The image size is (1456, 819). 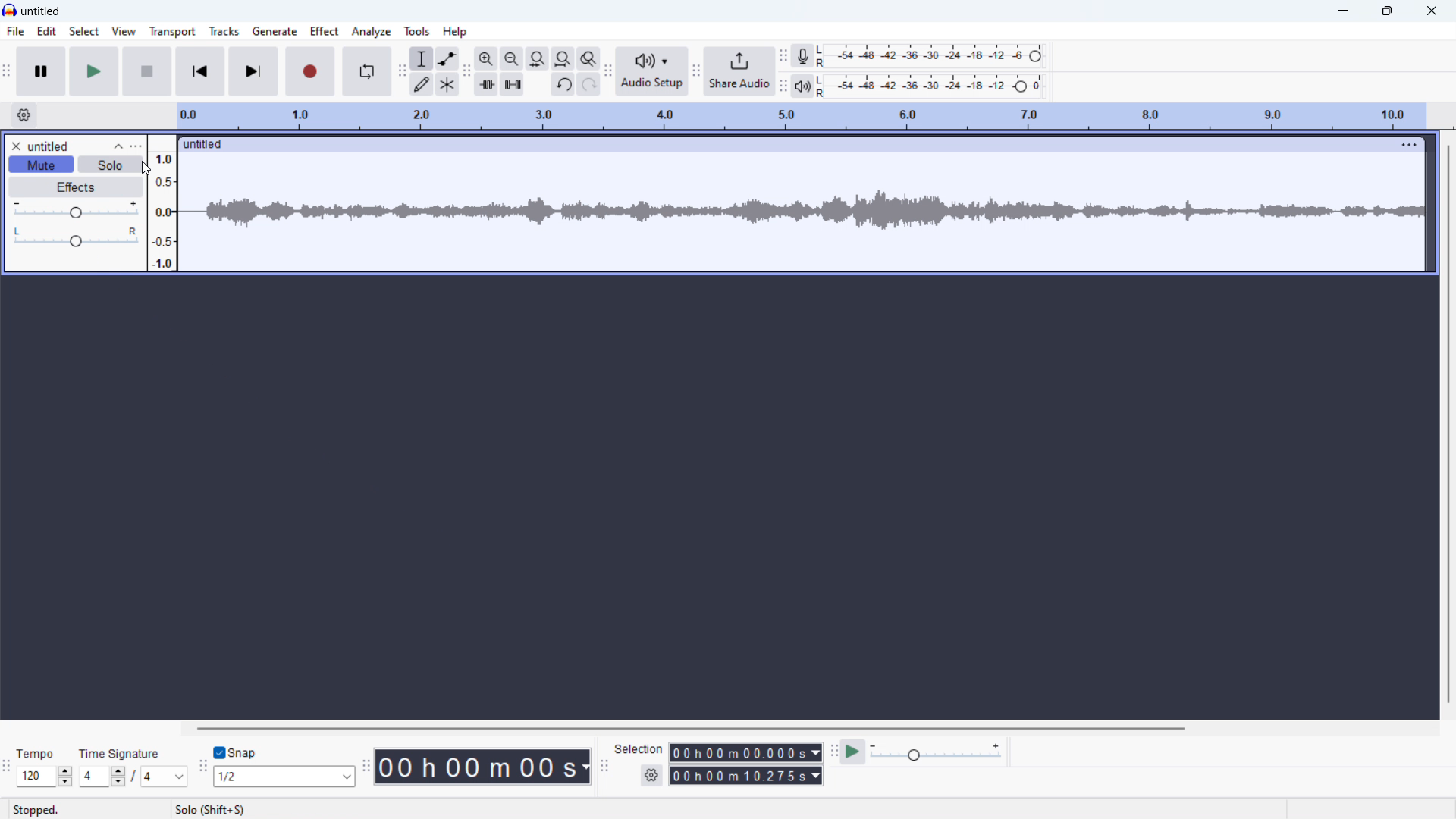 What do you see at coordinates (402, 71) in the screenshot?
I see `tools toolbar` at bounding box center [402, 71].